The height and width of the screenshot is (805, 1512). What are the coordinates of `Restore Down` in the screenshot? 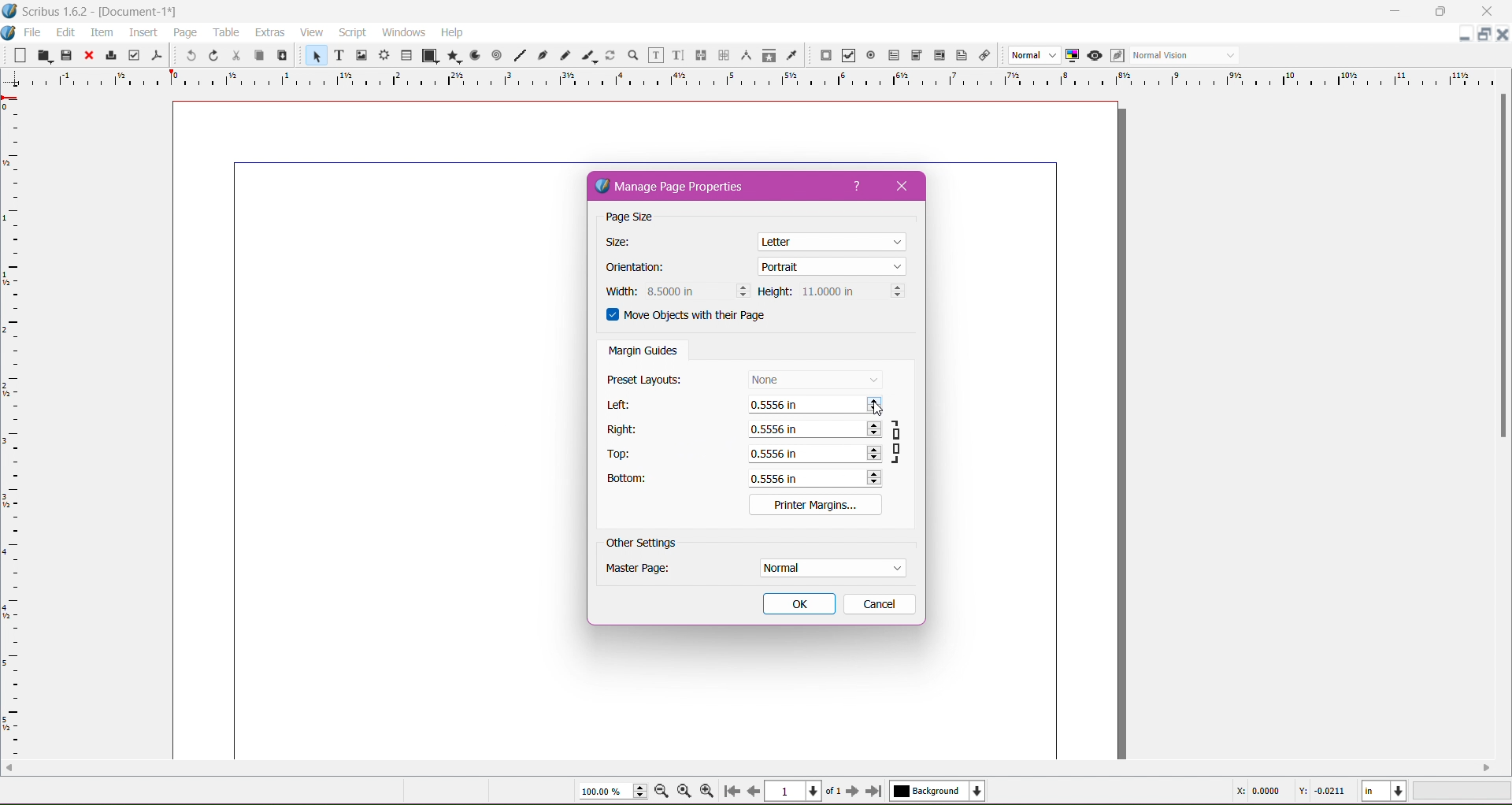 It's located at (1439, 12).